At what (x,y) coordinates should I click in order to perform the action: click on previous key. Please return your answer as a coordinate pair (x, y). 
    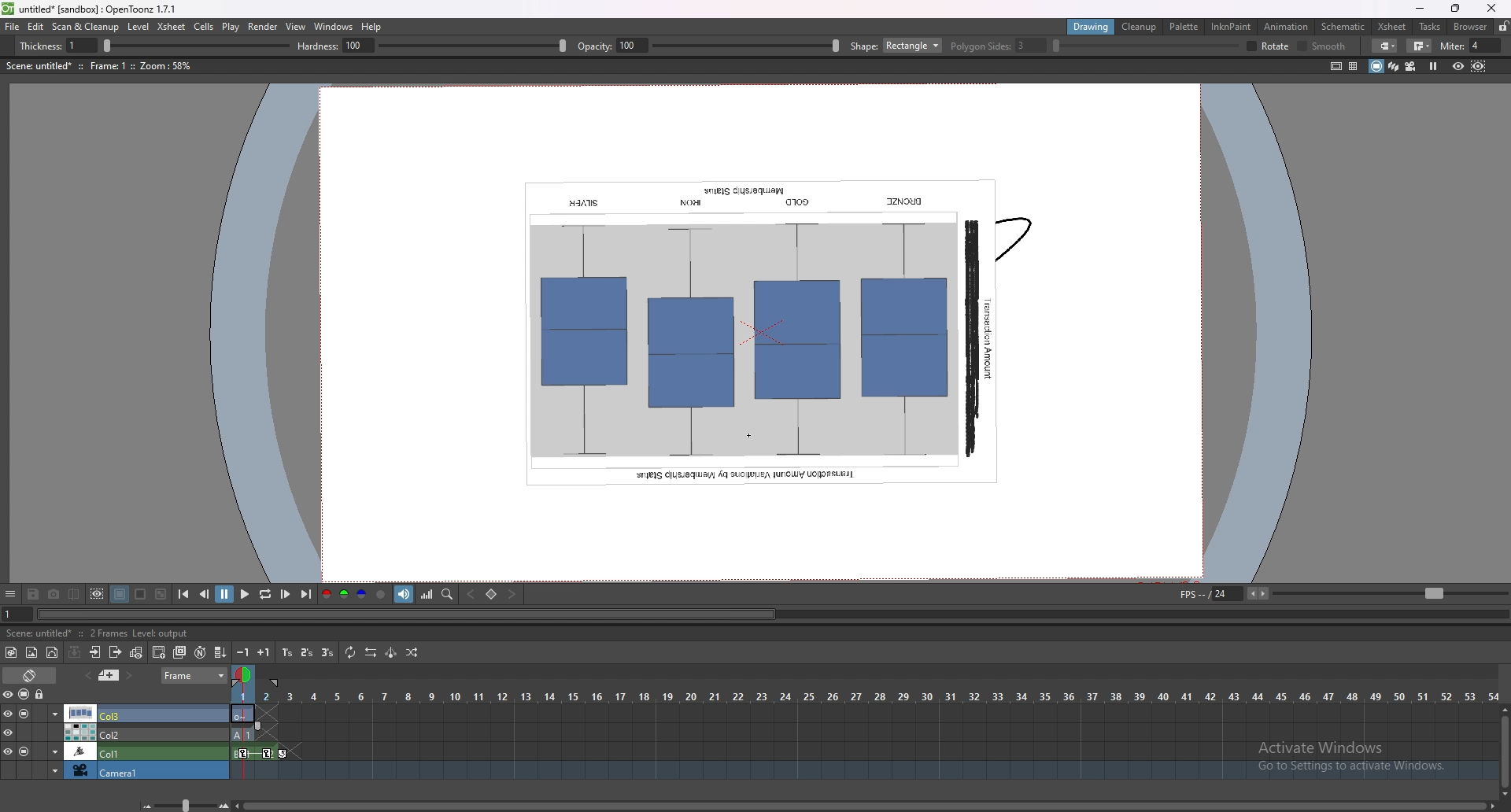
    Looking at the image, I should click on (469, 595).